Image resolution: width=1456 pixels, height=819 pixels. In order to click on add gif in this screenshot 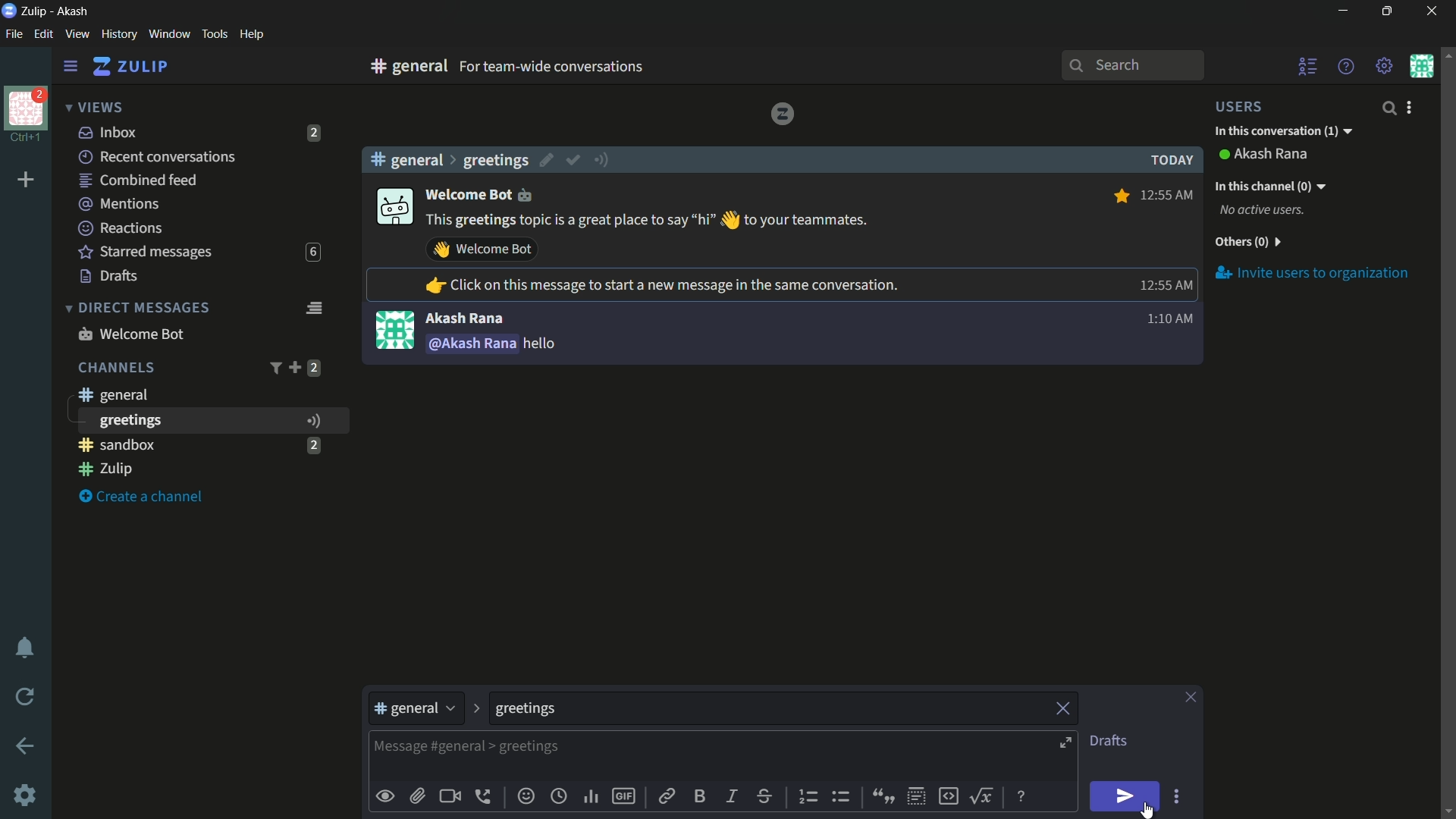, I will do `click(623, 796)`.